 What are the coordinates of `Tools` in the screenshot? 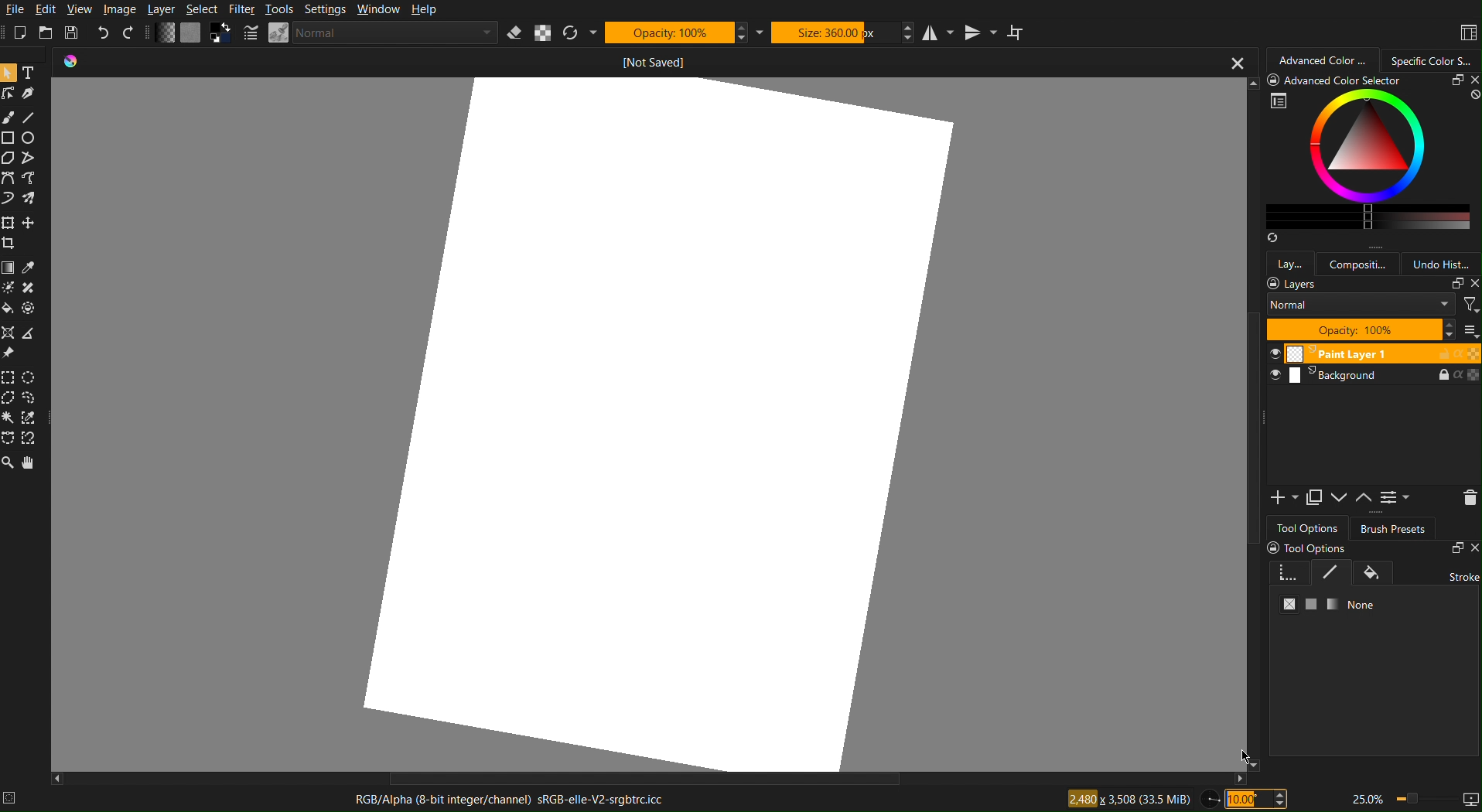 It's located at (279, 10).